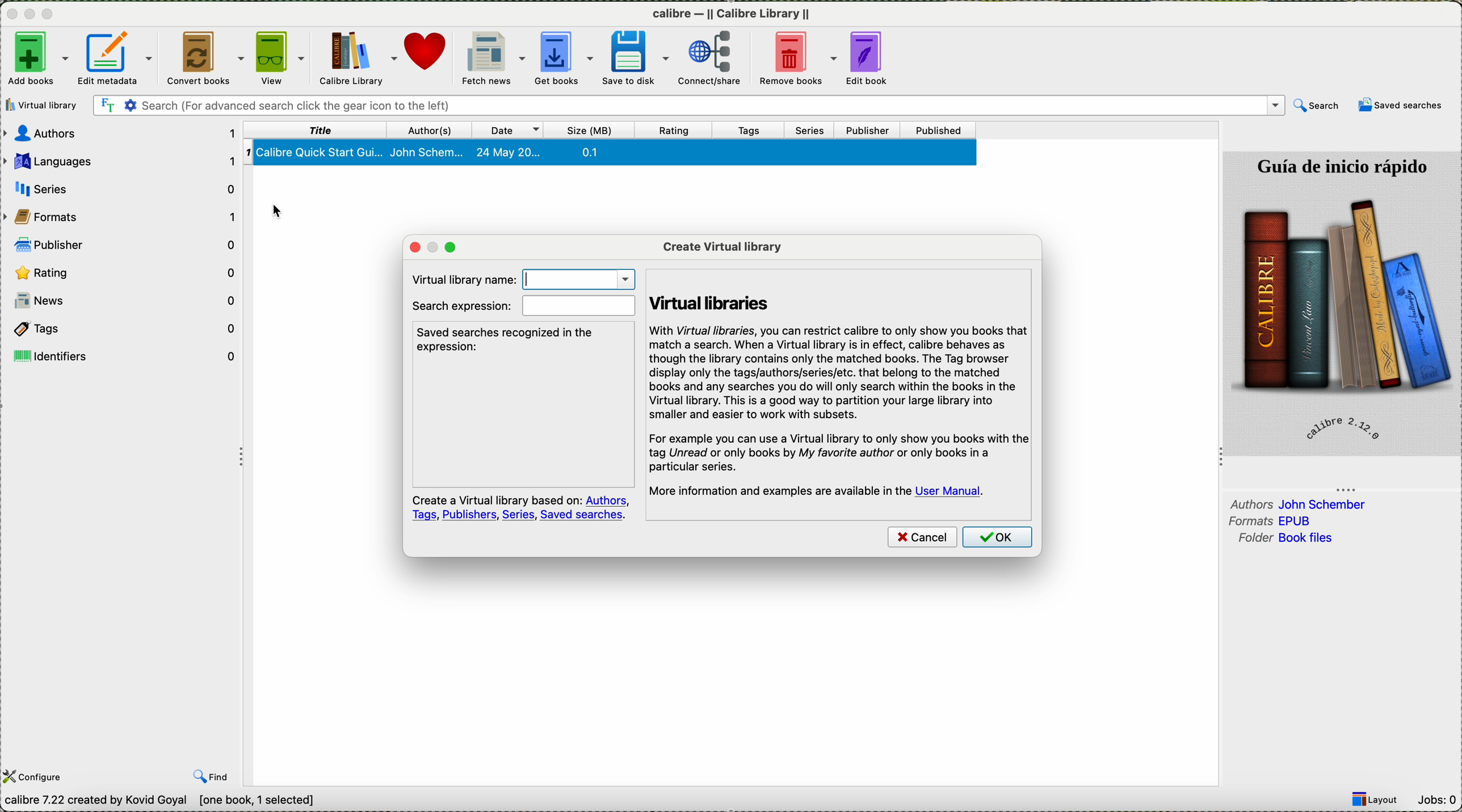 The height and width of the screenshot is (812, 1462). Describe the element at coordinates (842, 386) in the screenshot. I see `virtual libraries with virtual libraries you can resist Callibre to only show you books that match a search .when a virtual library is in effect ,Callibre behave as  though the library contains only the match books. t tag browser display only tha lags that belong to the match book that you have searched in books in virtual library.this is good way to partition your bigg library into small parts and works in subset.more information and examples are available in user manual.` at that location.